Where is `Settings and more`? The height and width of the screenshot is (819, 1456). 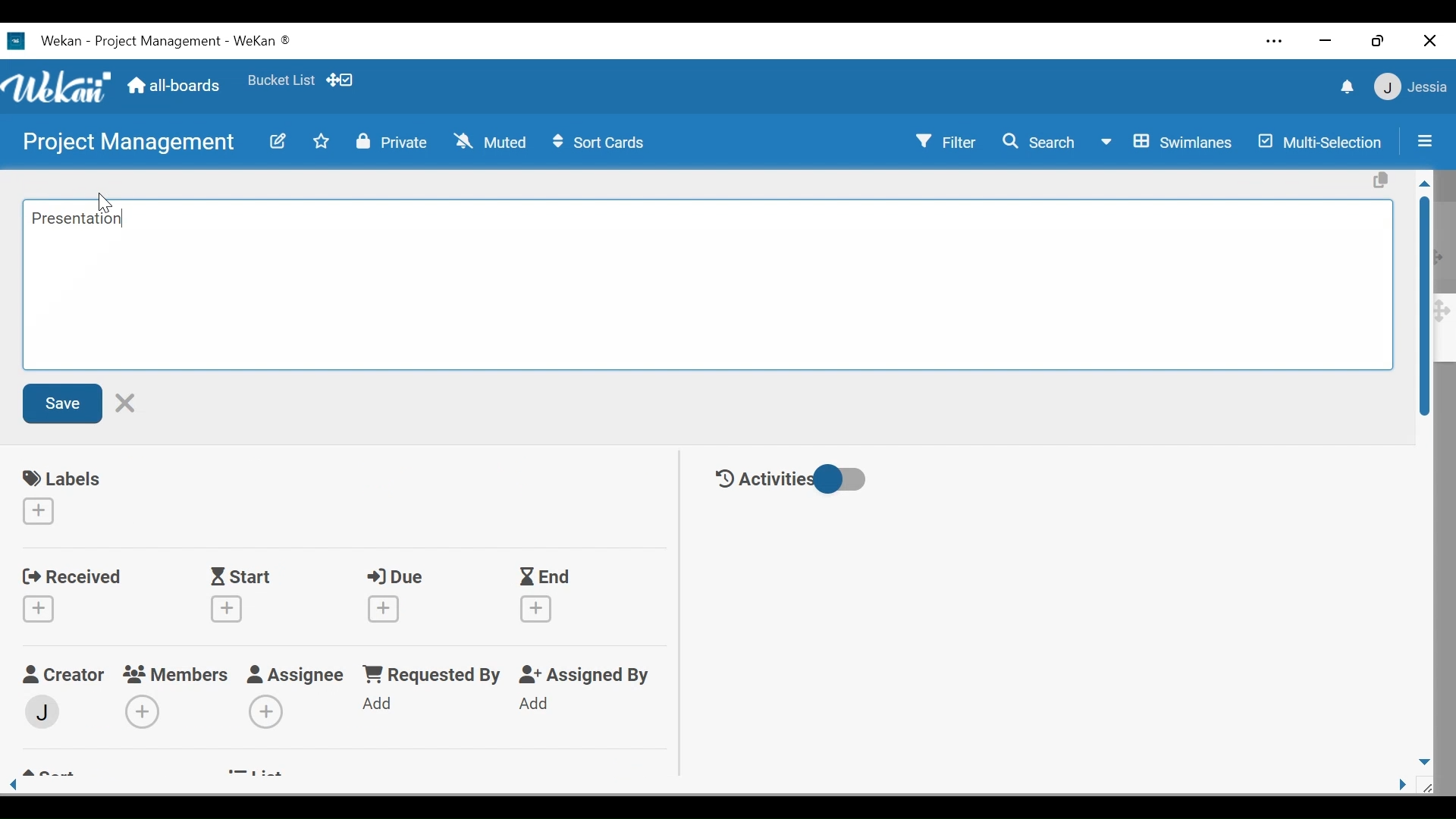 Settings and more is located at coordinates (1276, 42).